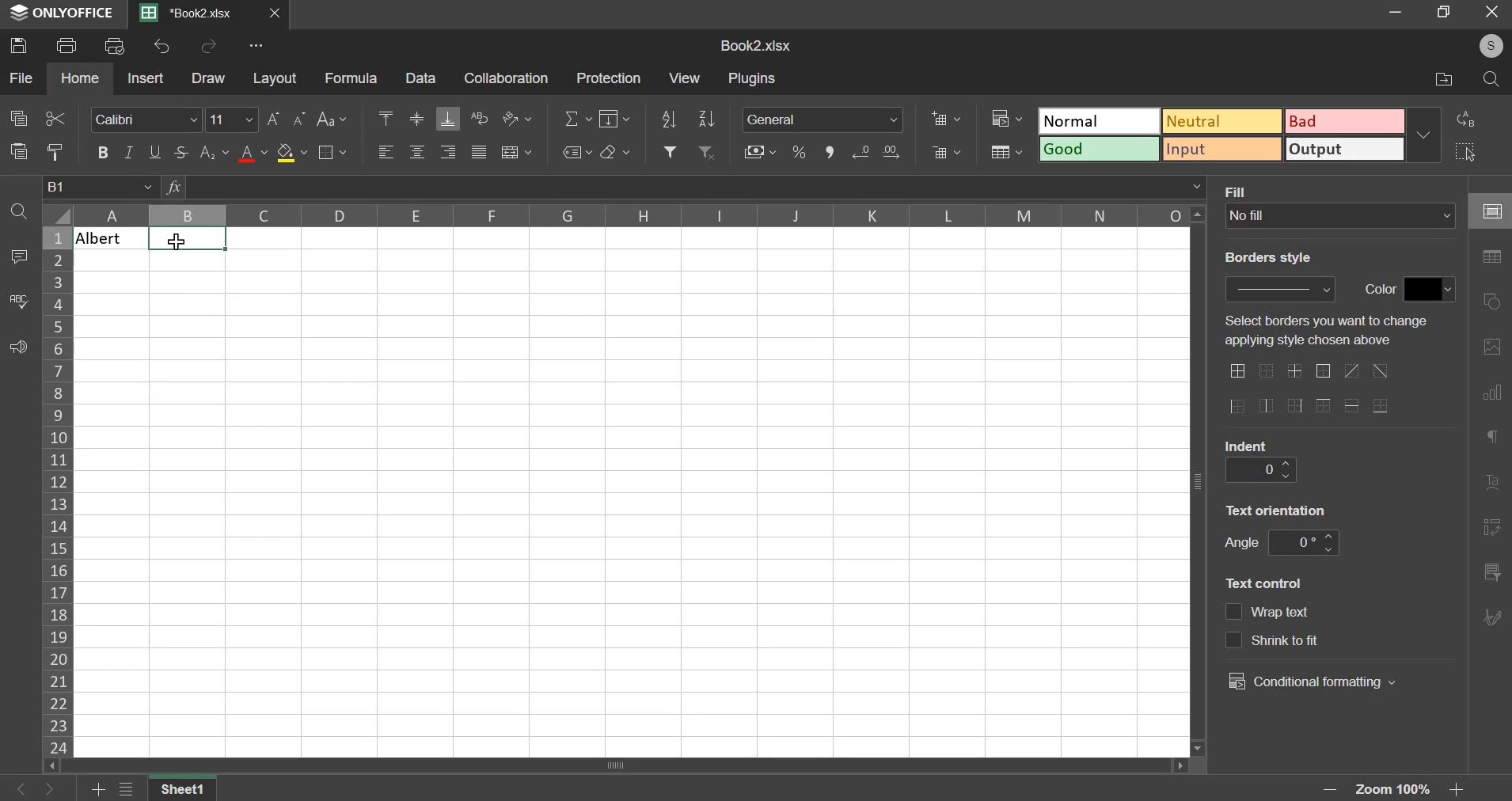 The width and height of the screenshot is (1512, 801). Describe the element at coordinates (1202, 480) in the screenshot. I see `verticle scroll bar` at that location.